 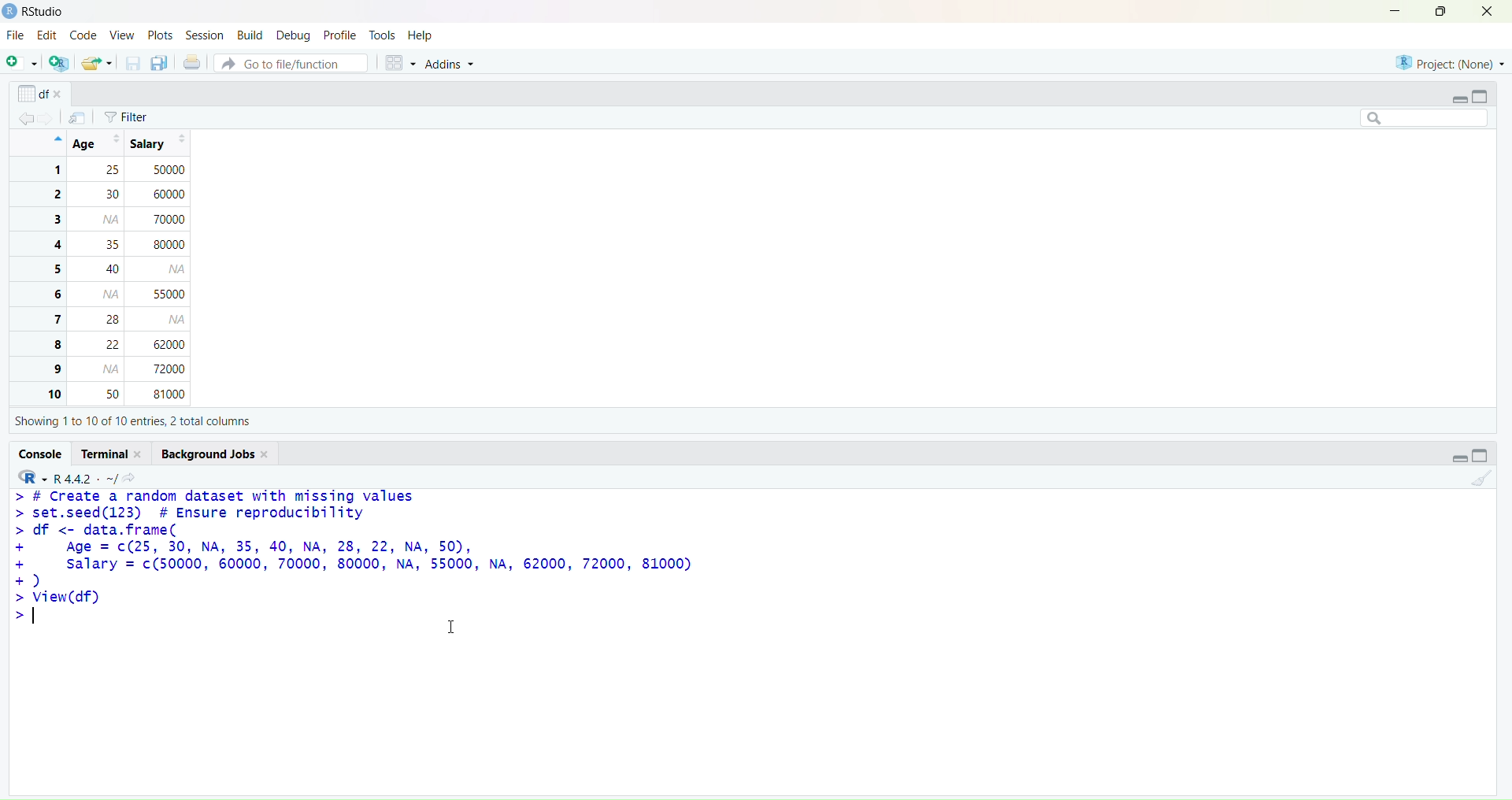 I want to click on search, so click(x=1416, y=117).